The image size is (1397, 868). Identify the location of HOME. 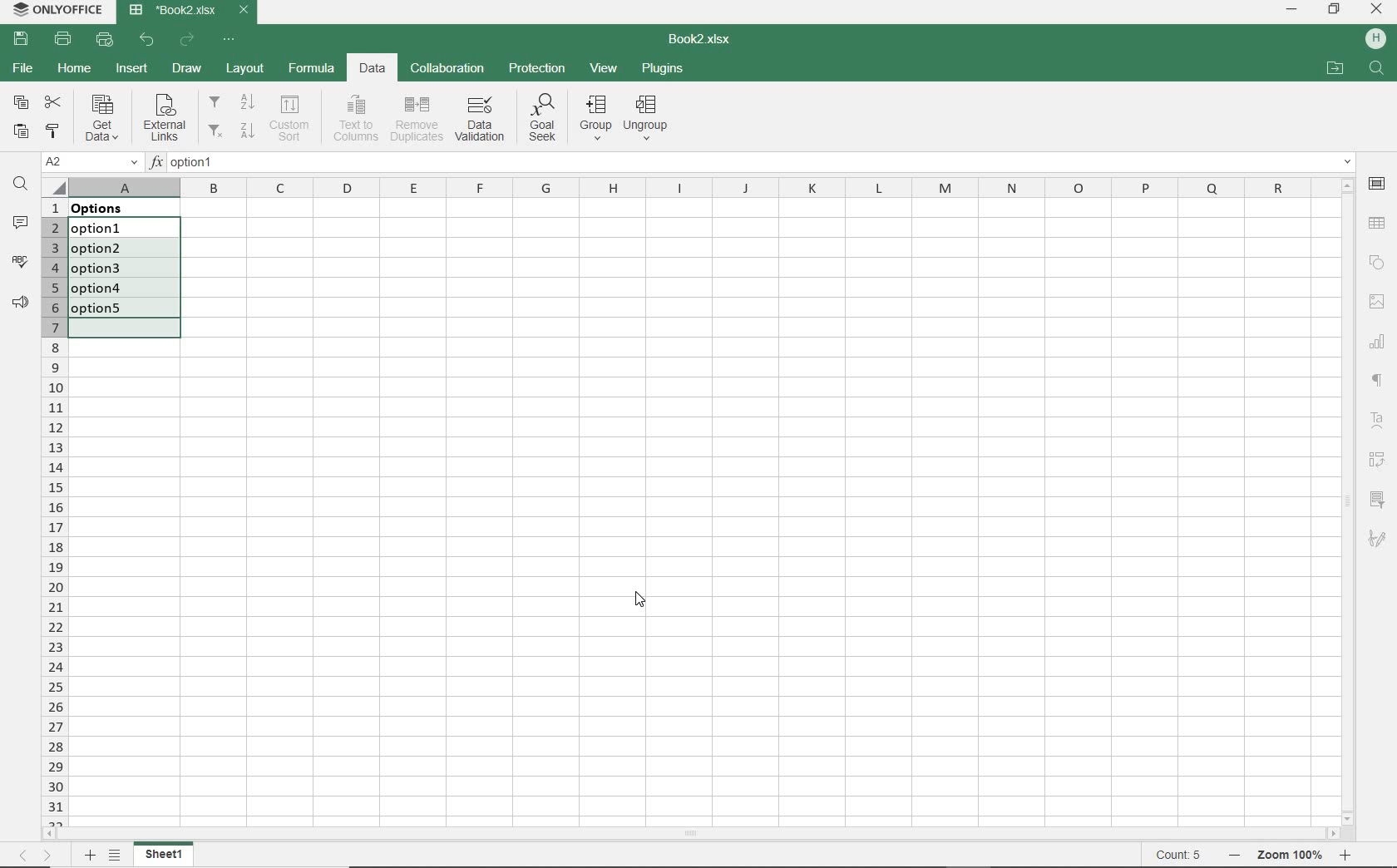
(74, 72).